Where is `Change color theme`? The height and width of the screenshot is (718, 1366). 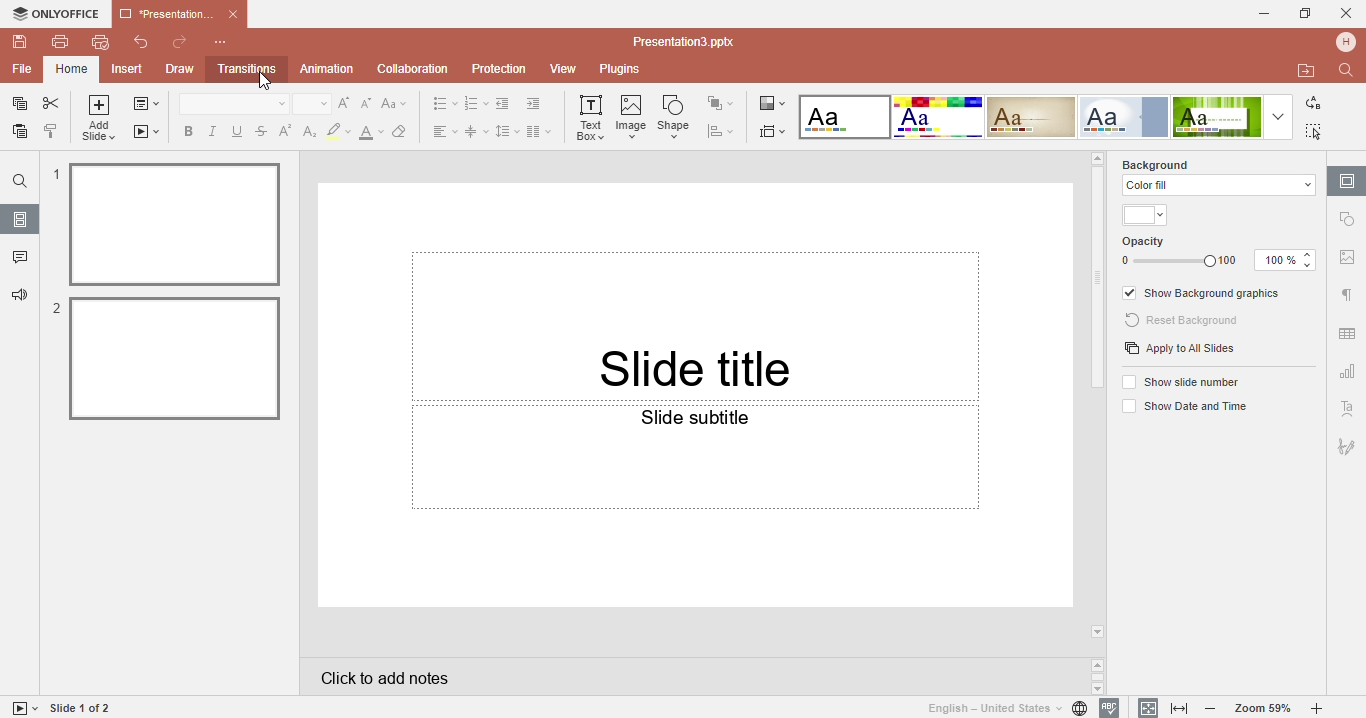
Change color theme is located at coordinates (771, 102).